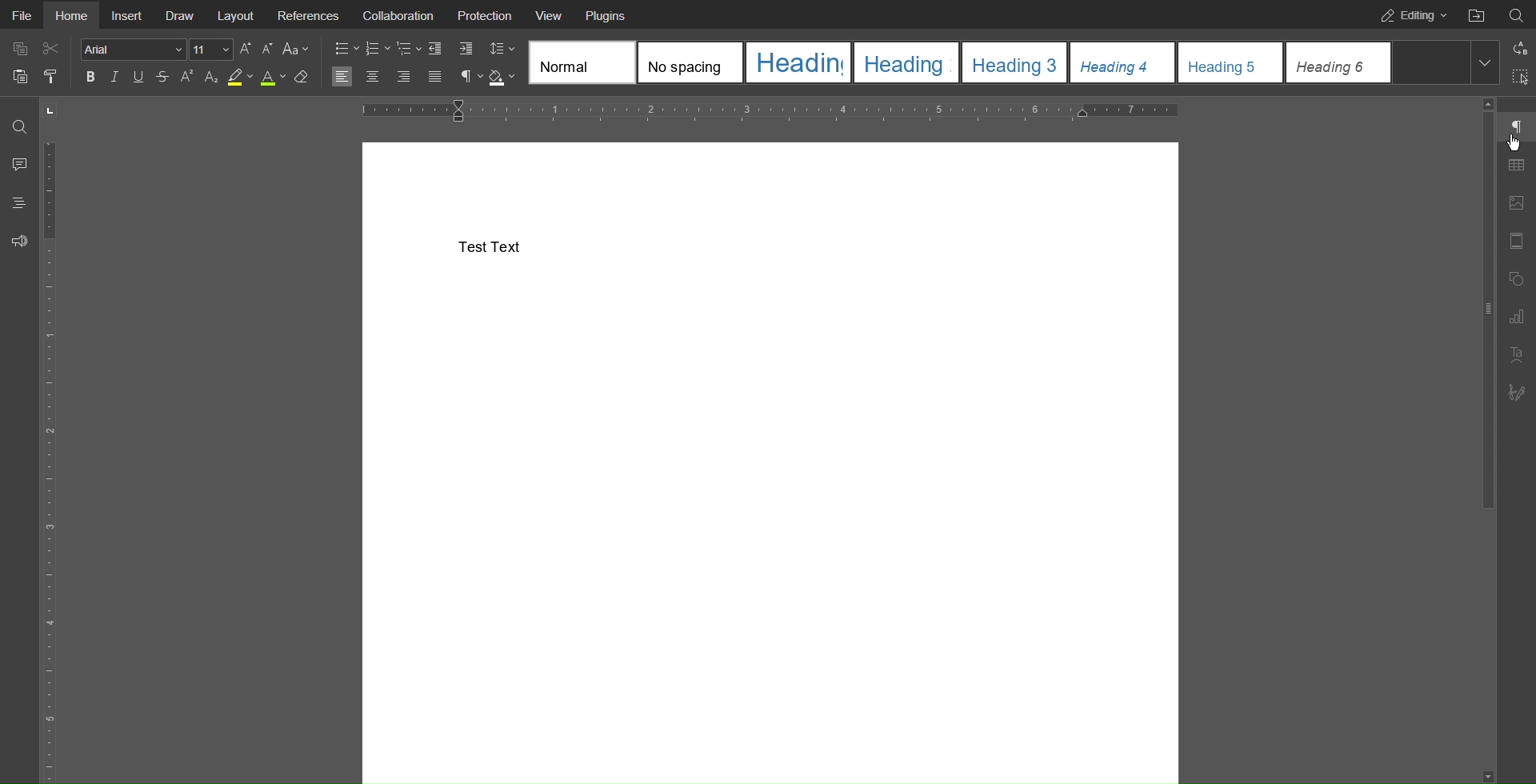  What do you see at coordinates (409, 50) in the screenshot?
I see `Nested List` at bounding box center [409, 50].